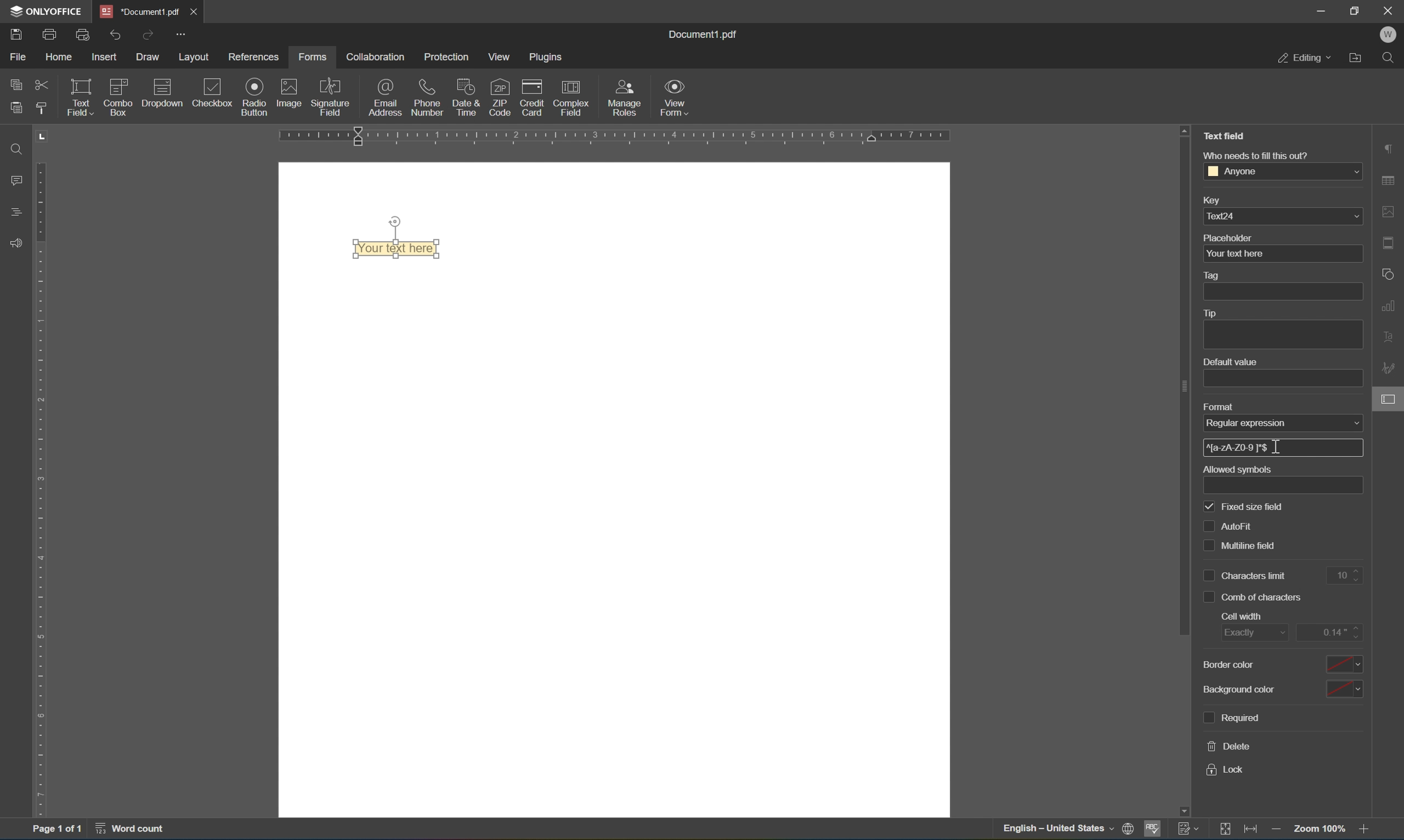 Image resolution: width=1404 pixels, height=840 pixels. What do you see at coordinates (1320, 10) in the screenshot?
I see `minimize` at bounding box center [1320, 10].